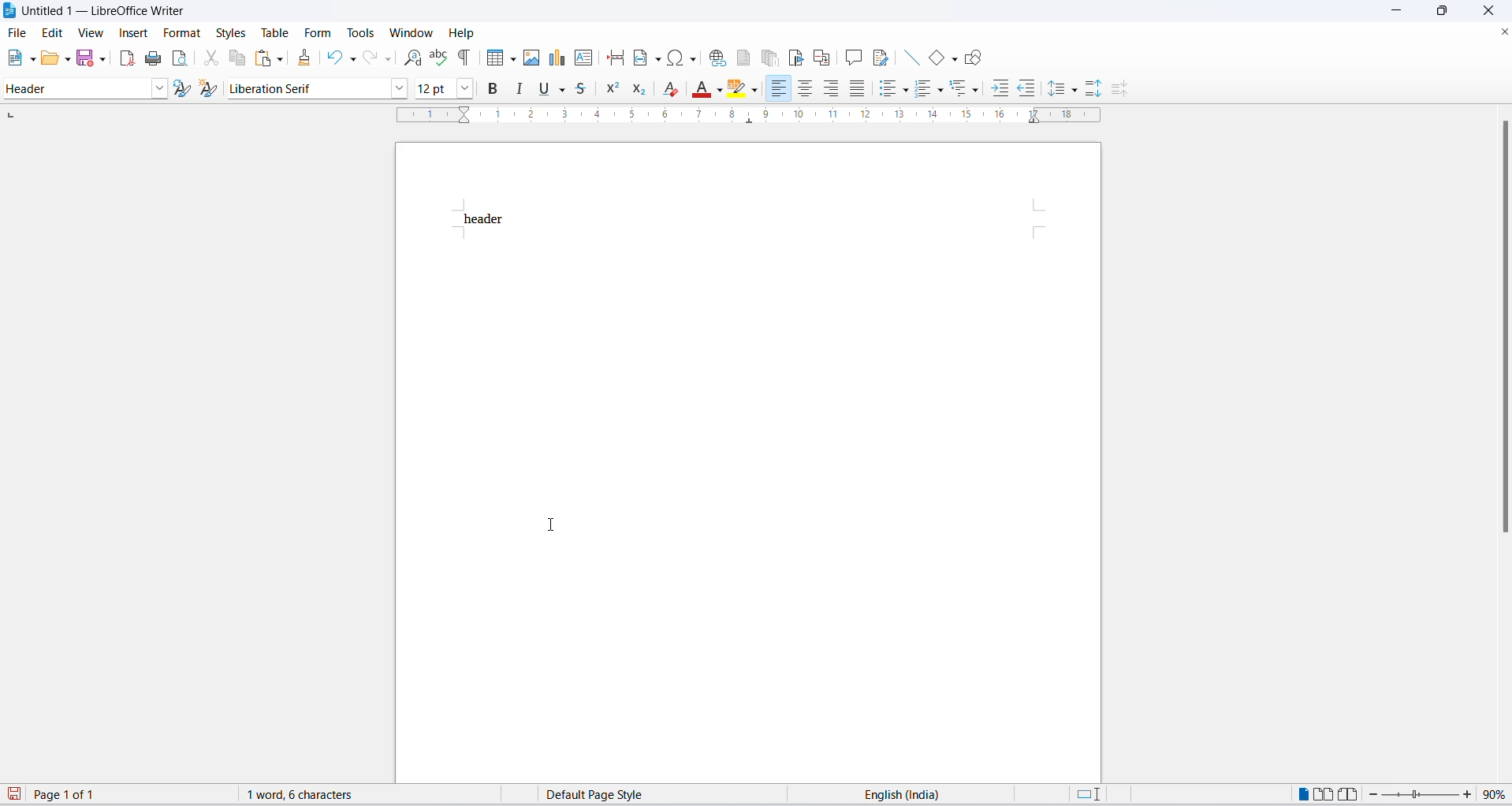 The width and height of the screenshot is (1512, 806). I want to click on help, so click(459, 32).